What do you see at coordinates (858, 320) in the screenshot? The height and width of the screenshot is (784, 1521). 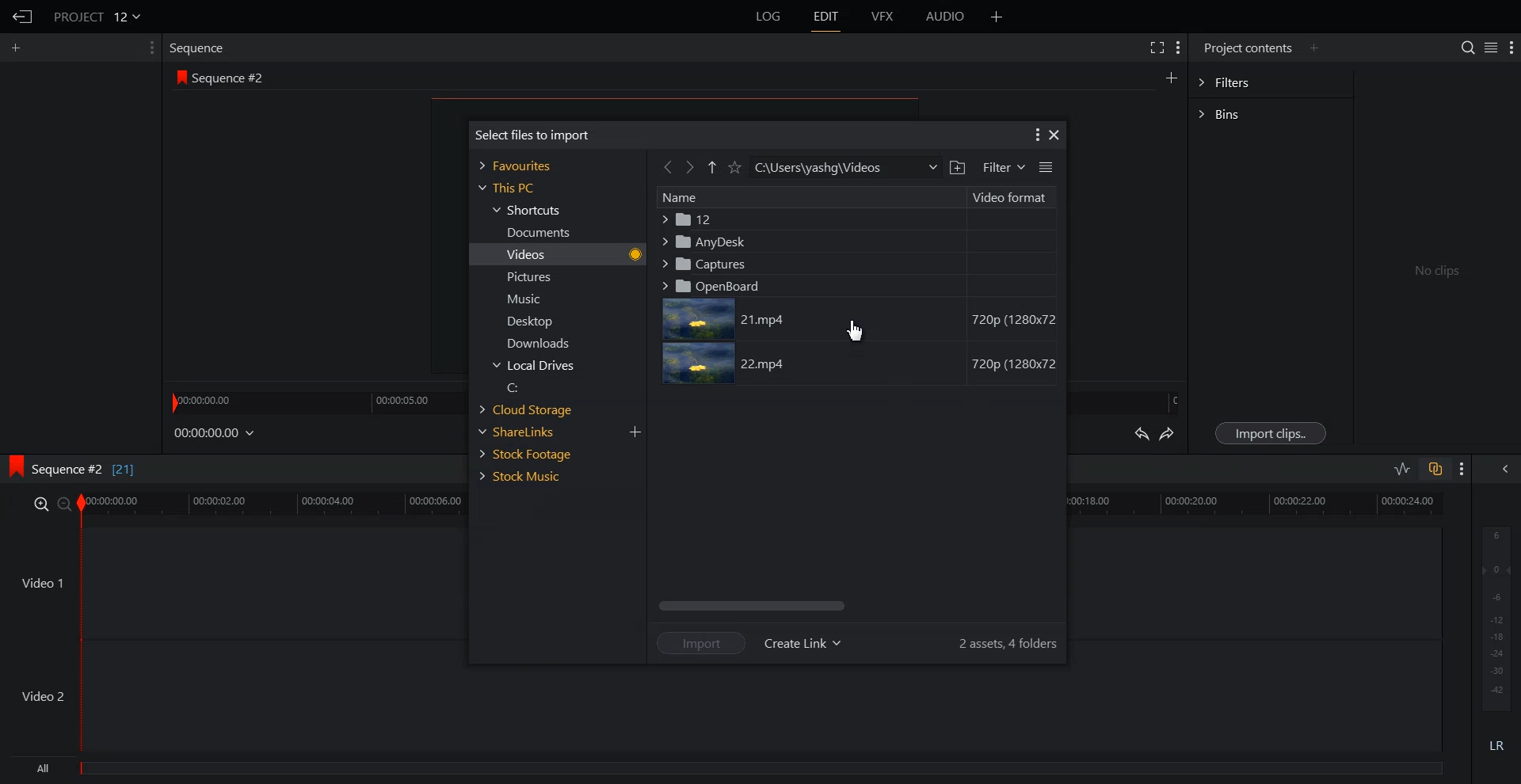 I see `21.mp4.   720p(1280*72` at bounding box center [858, 320].